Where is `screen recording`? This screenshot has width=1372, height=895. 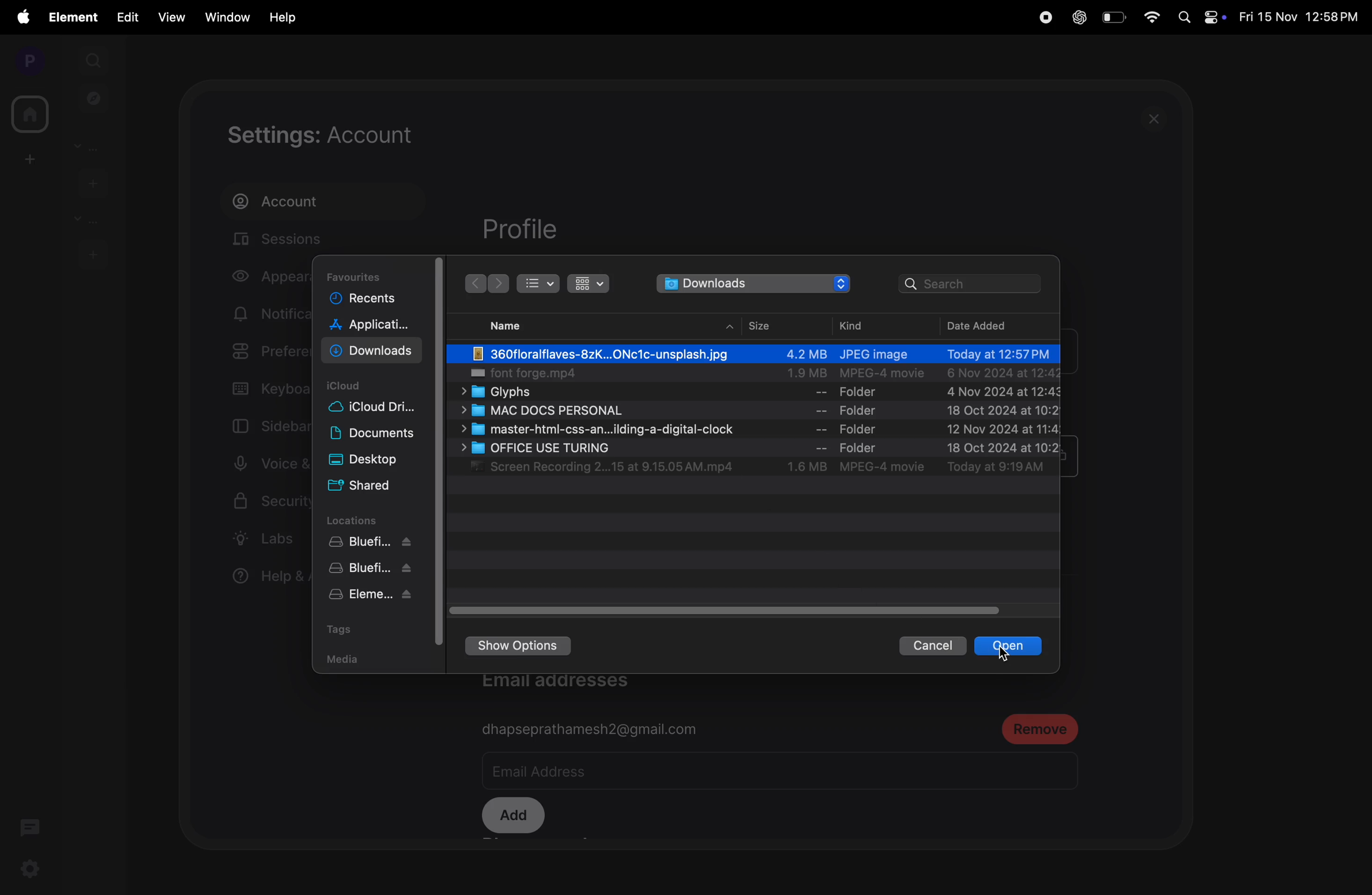 screen recording is located at coordinates (756, 469).